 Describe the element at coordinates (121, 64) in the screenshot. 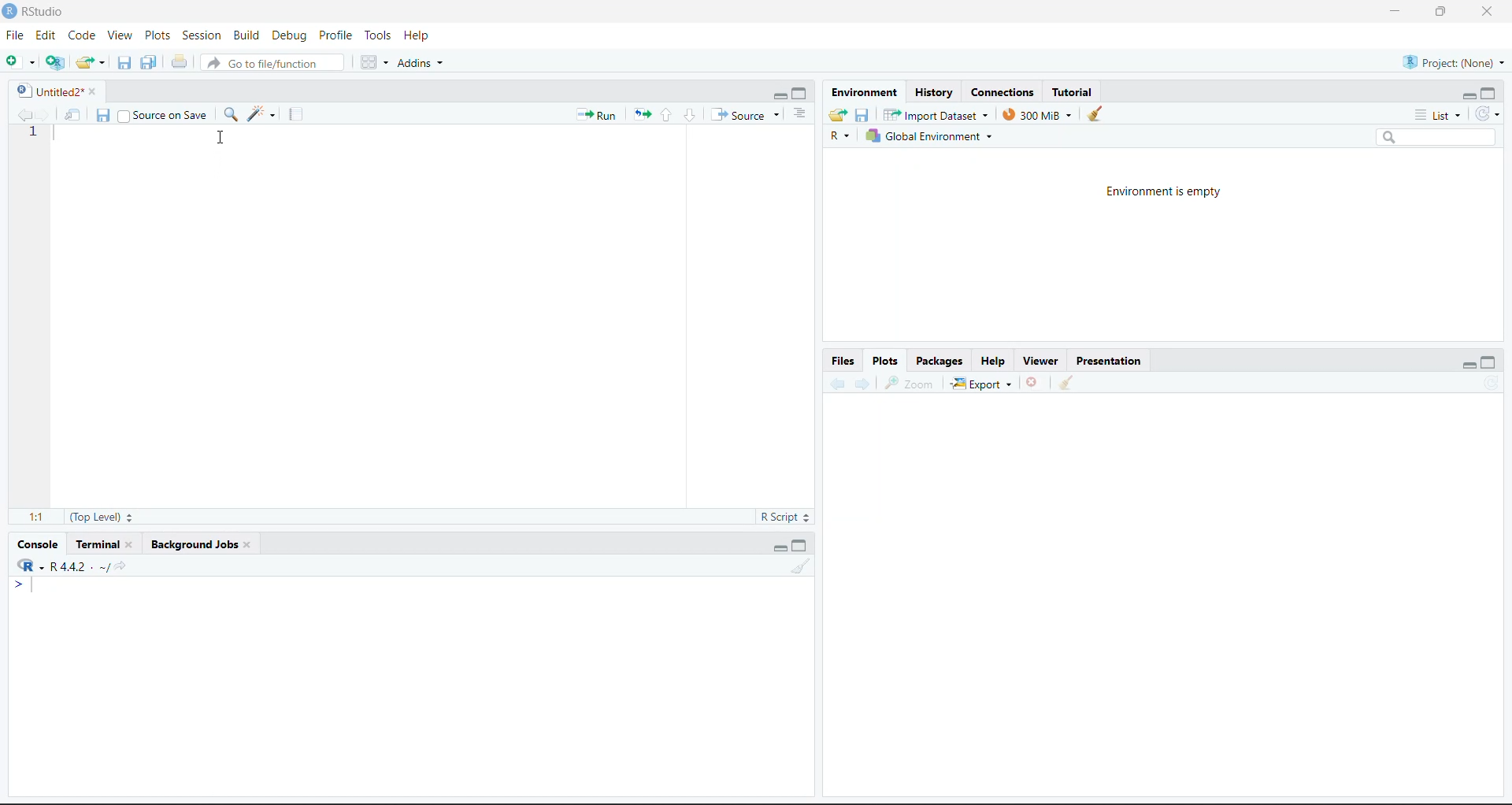

I see `save current document` at that location.